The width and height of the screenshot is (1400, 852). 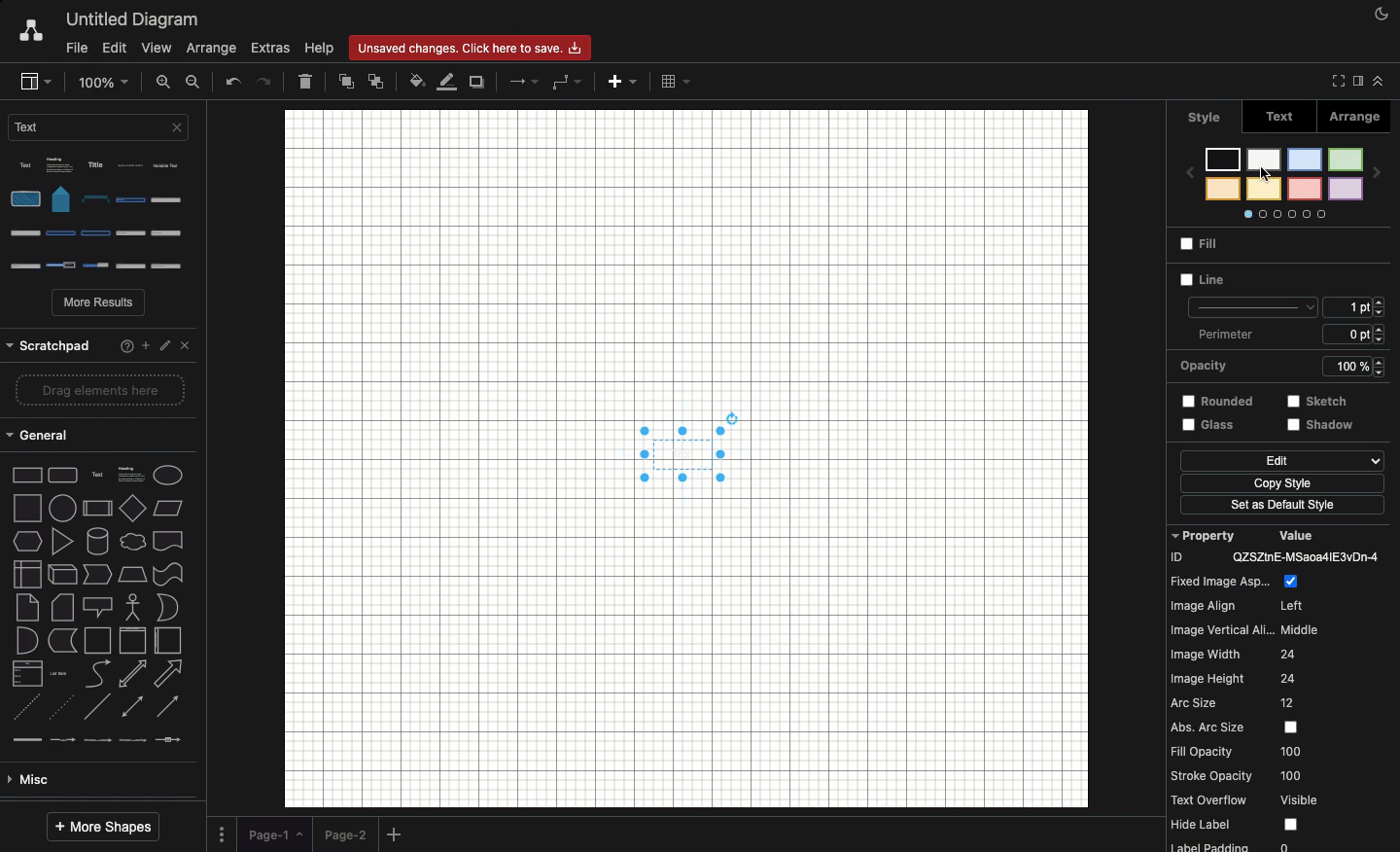 What do you see at coordinates (232, 83) in the screenshot?
I see `Undo` at bounding box center [232, 83].